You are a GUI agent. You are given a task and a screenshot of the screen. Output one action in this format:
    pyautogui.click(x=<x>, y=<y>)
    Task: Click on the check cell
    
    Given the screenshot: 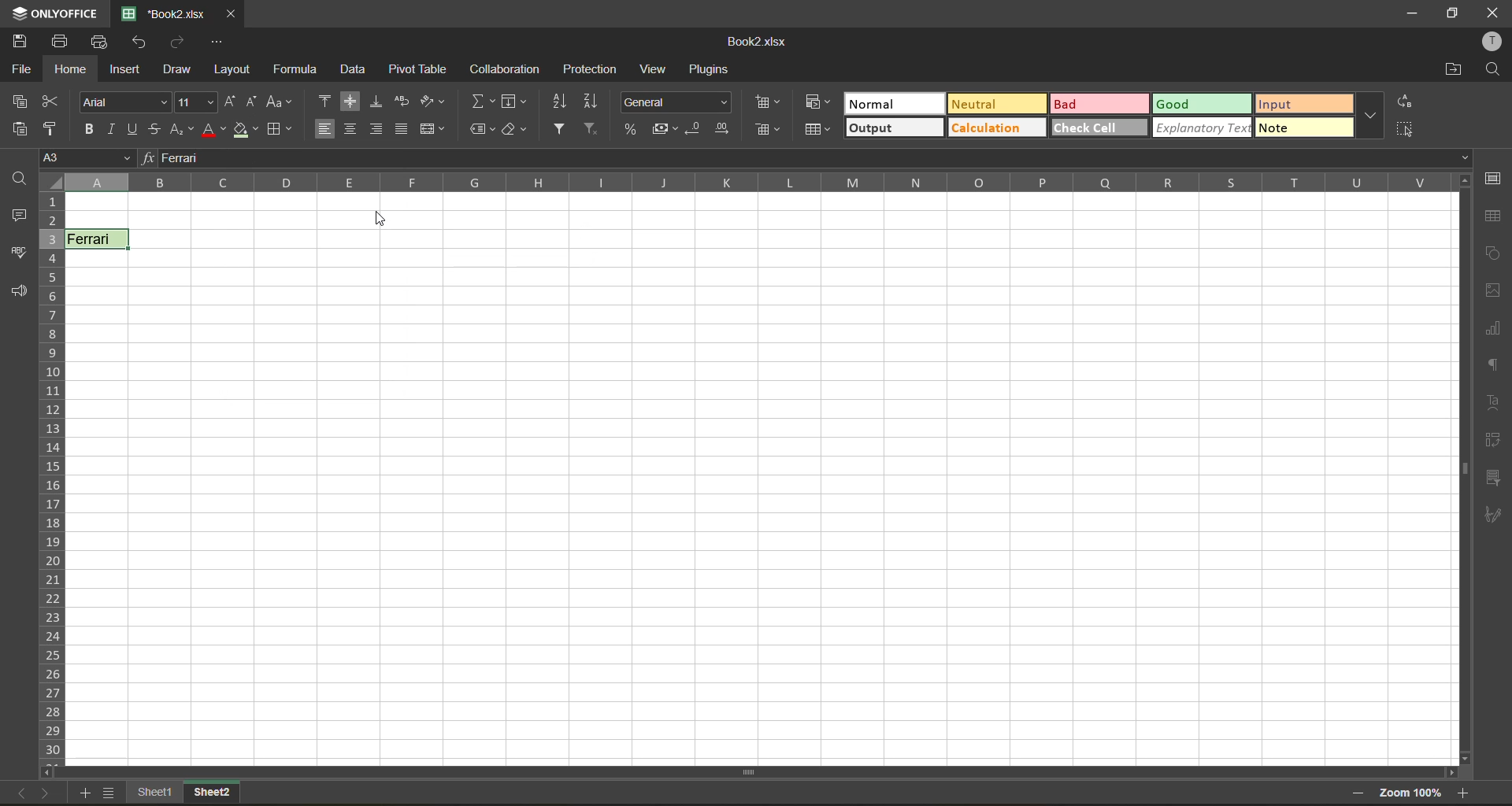 What is the action you would take?
    pyautogui.click(x=1101, y=129)
    